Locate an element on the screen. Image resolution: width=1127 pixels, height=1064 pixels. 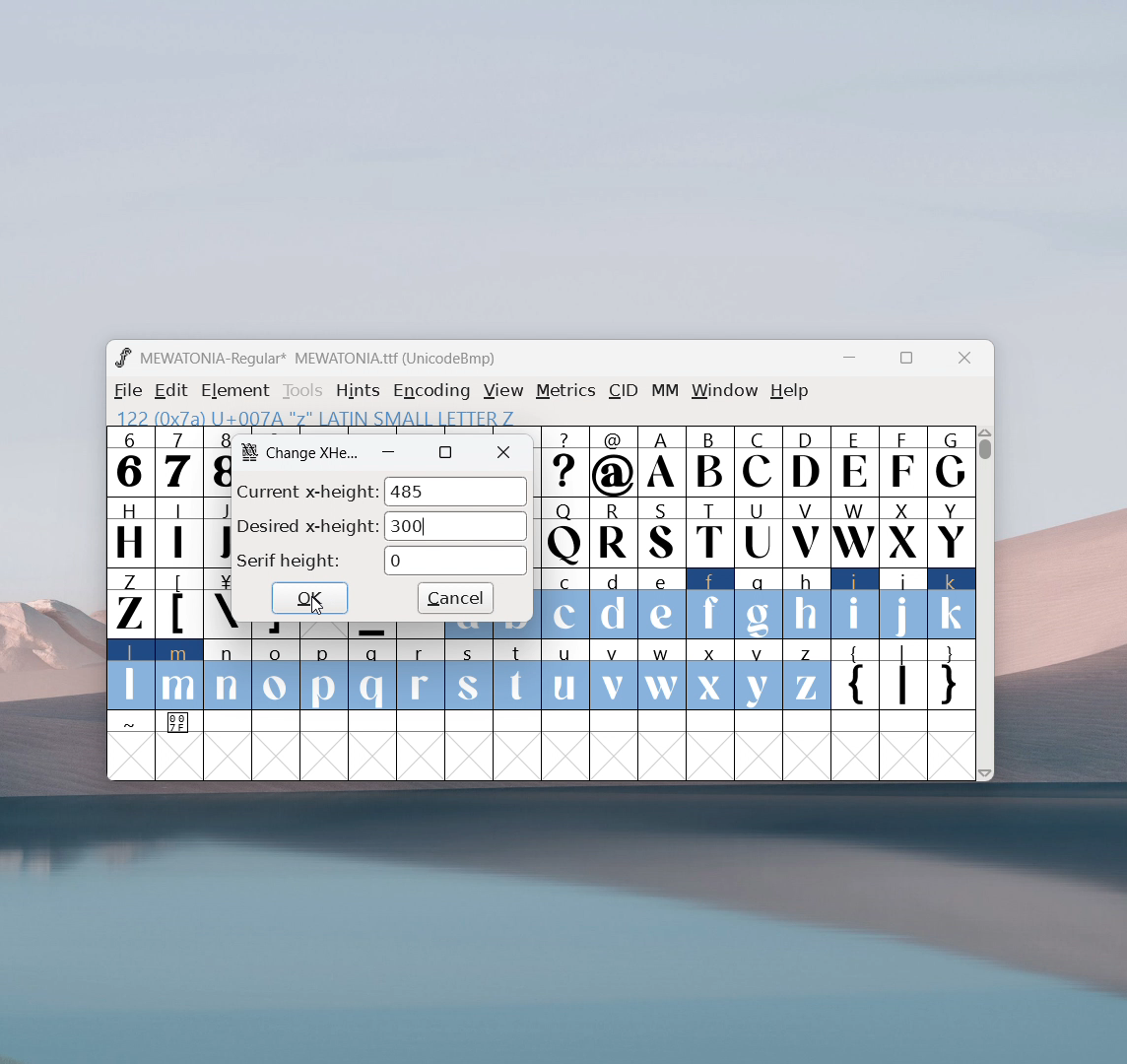
? is located at coordinates (565, 463).